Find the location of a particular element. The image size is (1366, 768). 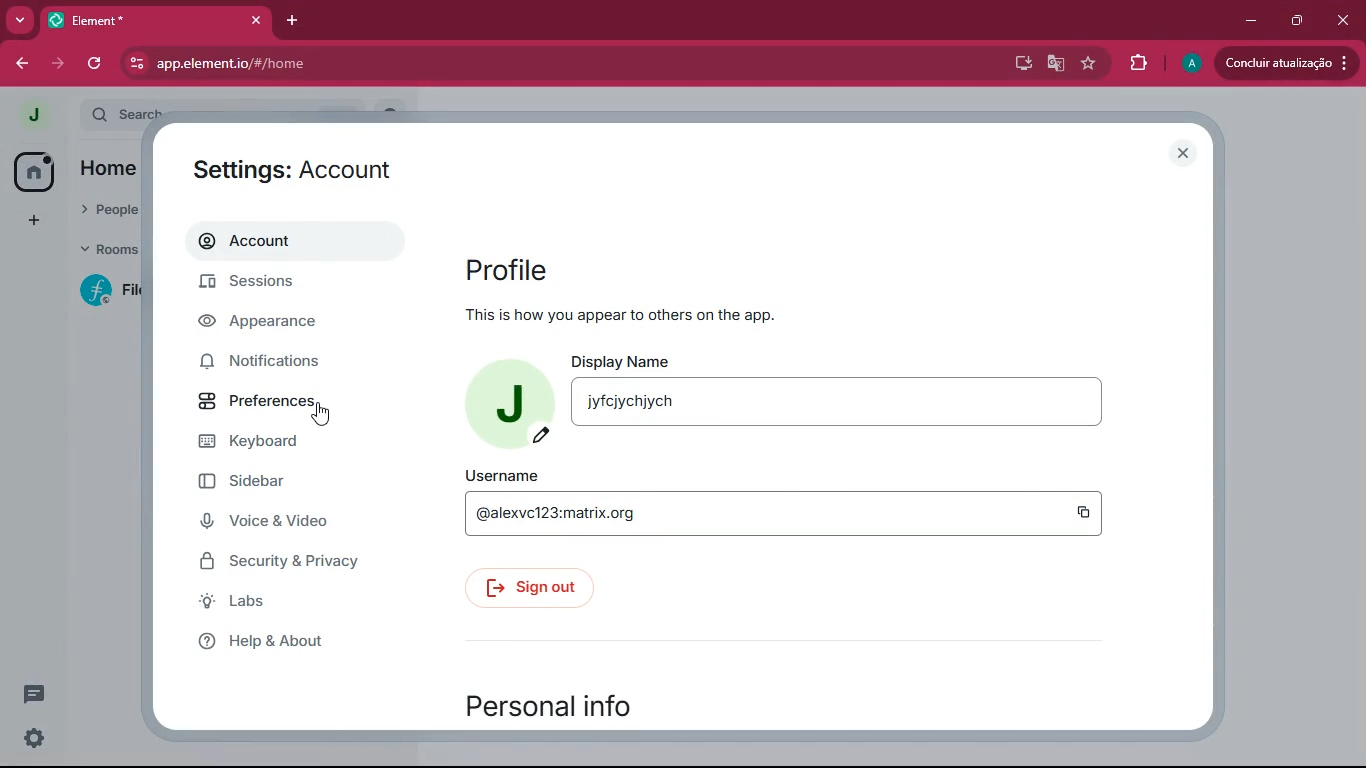

conduir atualizacao is located at coordinates (1283, 64).